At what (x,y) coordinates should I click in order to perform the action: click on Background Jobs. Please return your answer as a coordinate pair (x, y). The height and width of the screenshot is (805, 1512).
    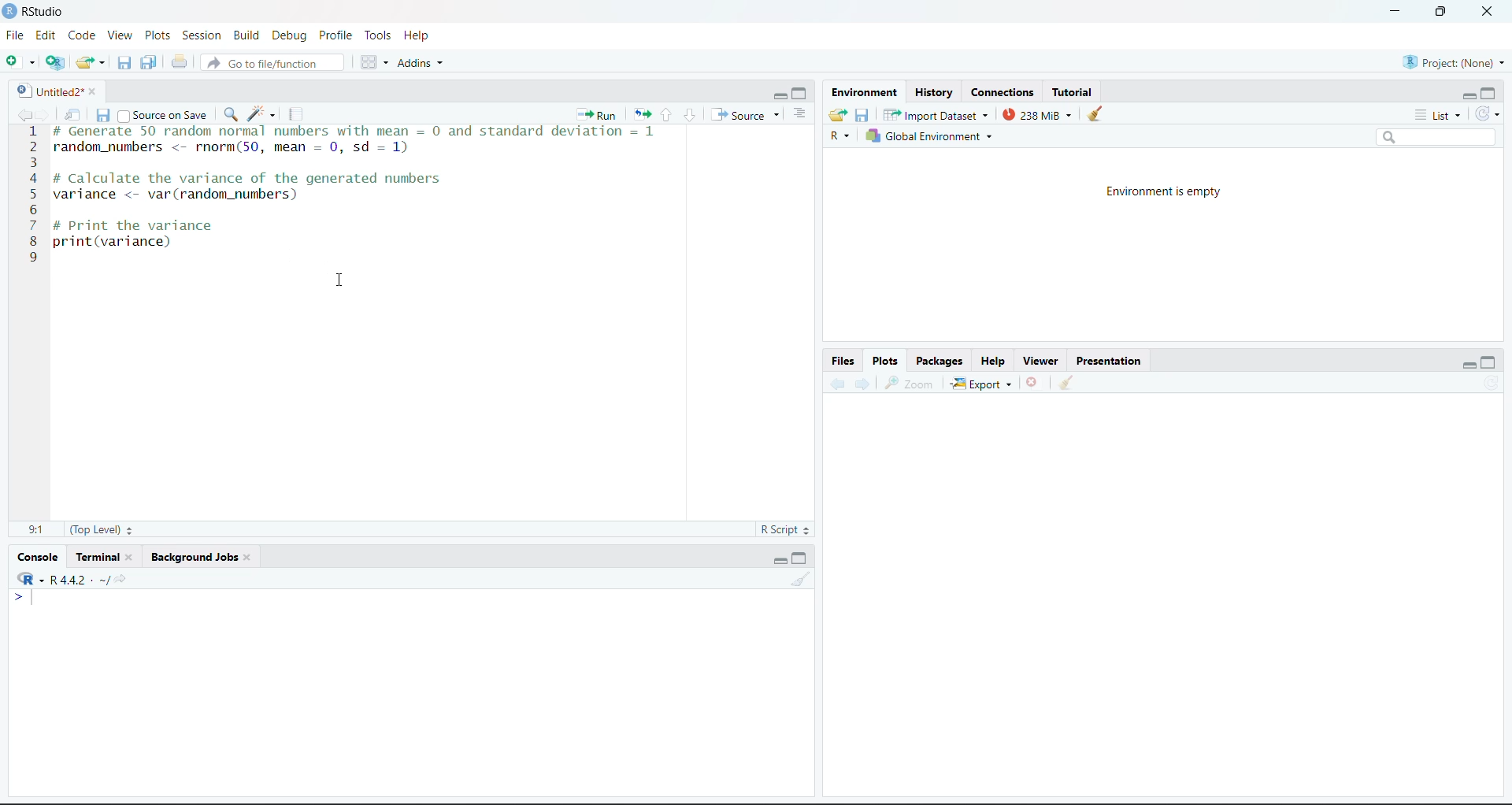
    Looking at the image, I should click on (192, 557).